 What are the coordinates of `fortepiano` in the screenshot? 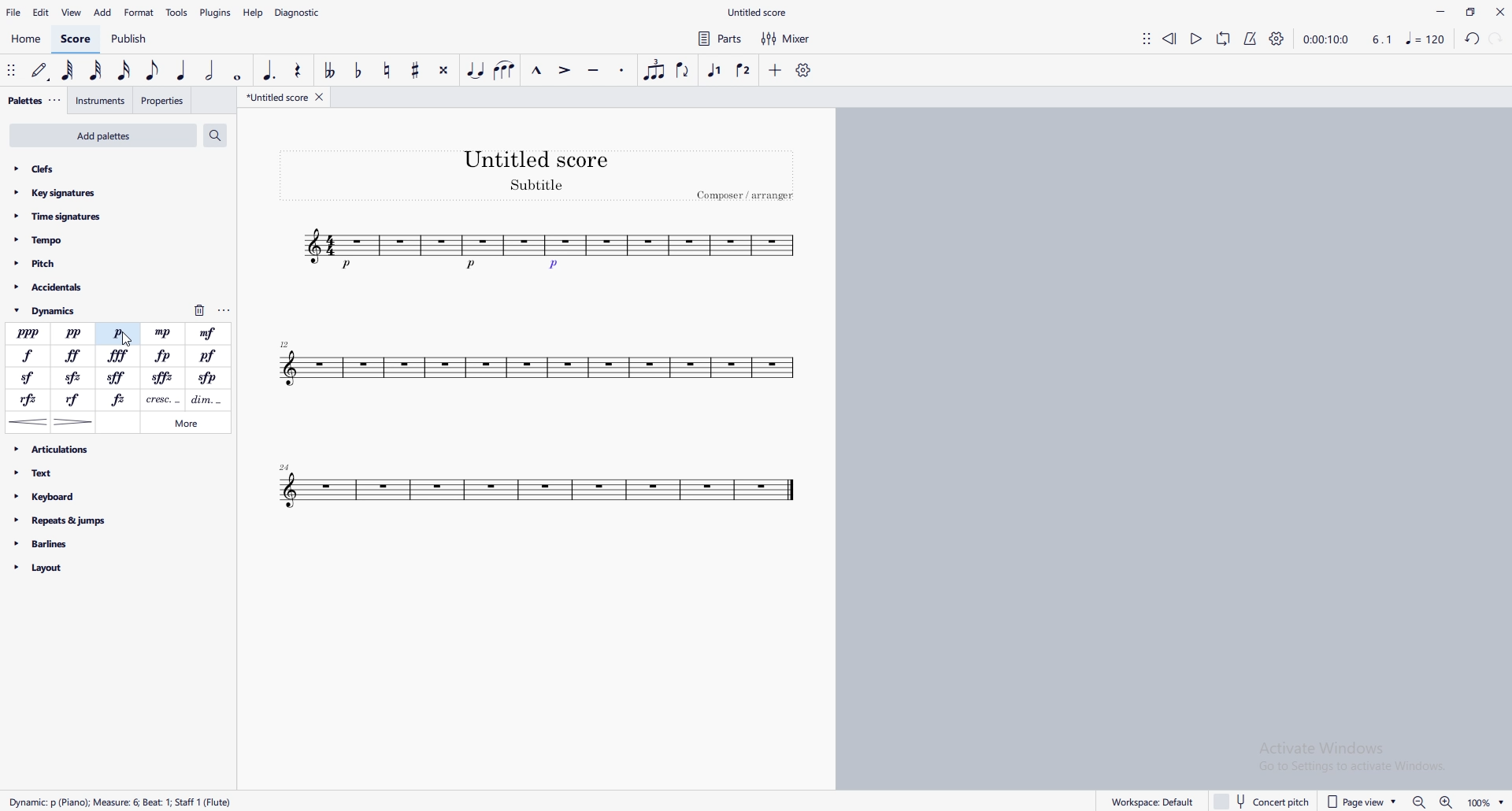 It's located at (164, 356).